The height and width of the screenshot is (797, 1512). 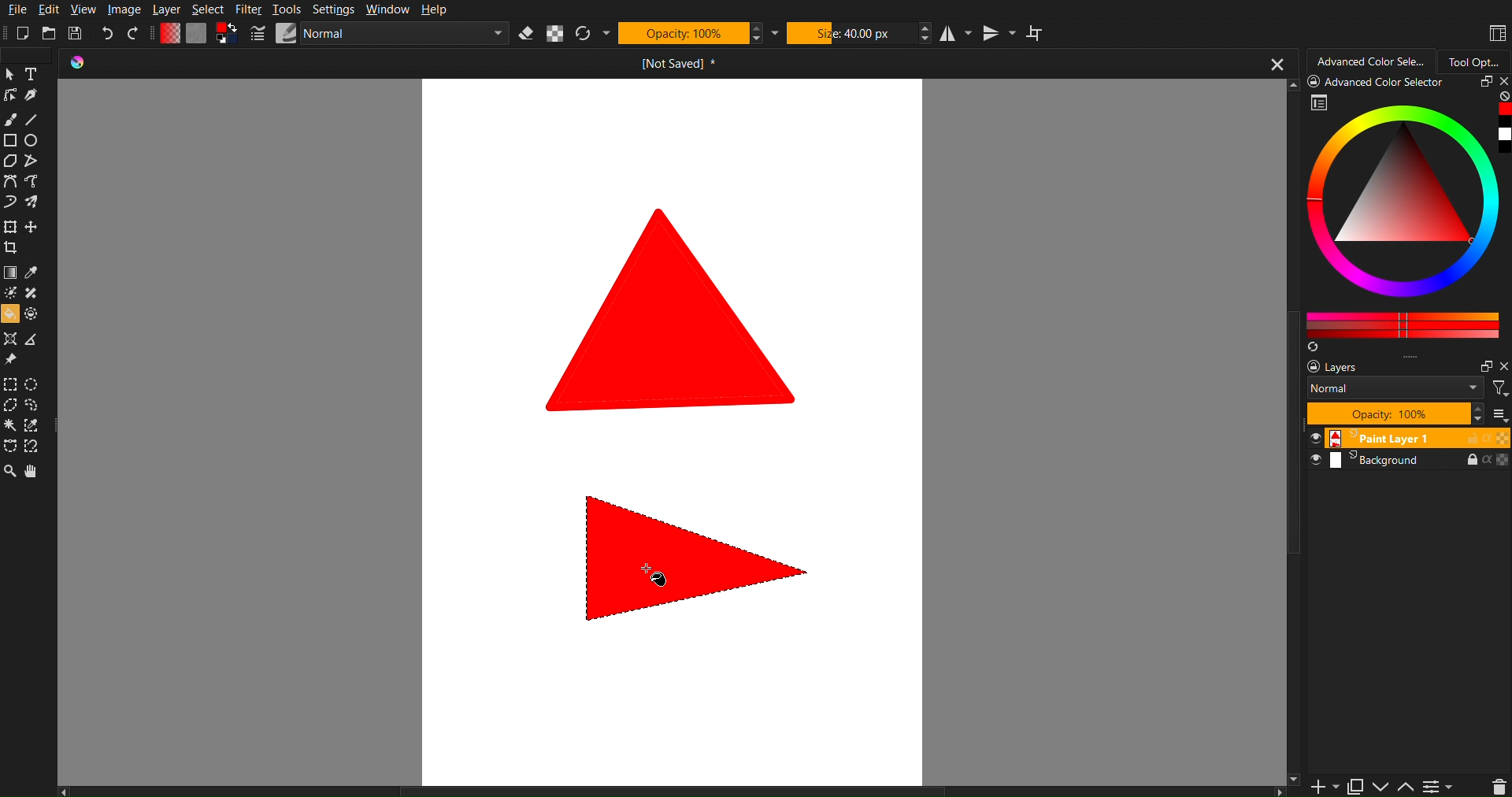 I want to click on Alpha, so click(x=554, y=36).